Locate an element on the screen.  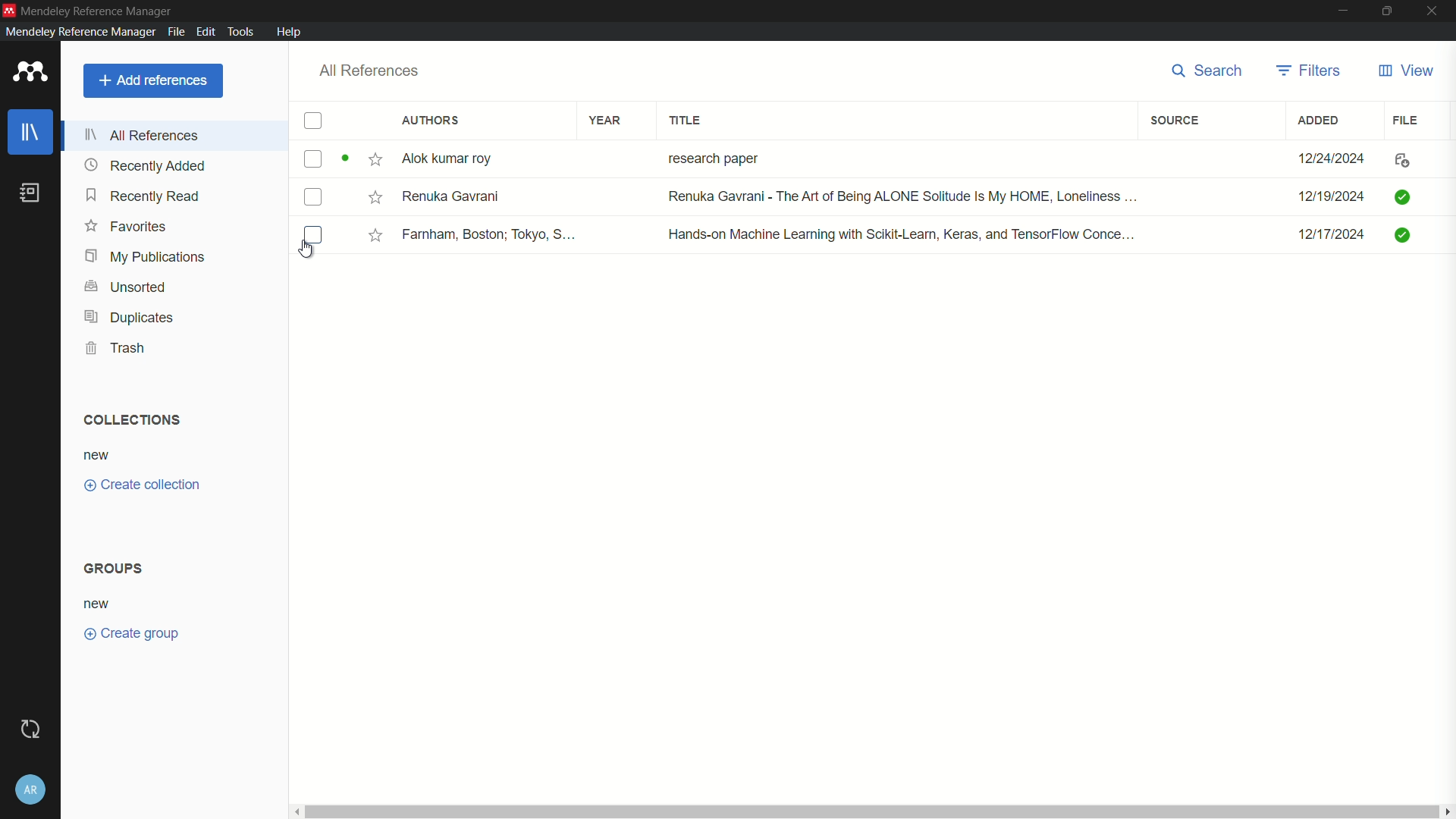
unsorted is located at coordinates (126, 287).